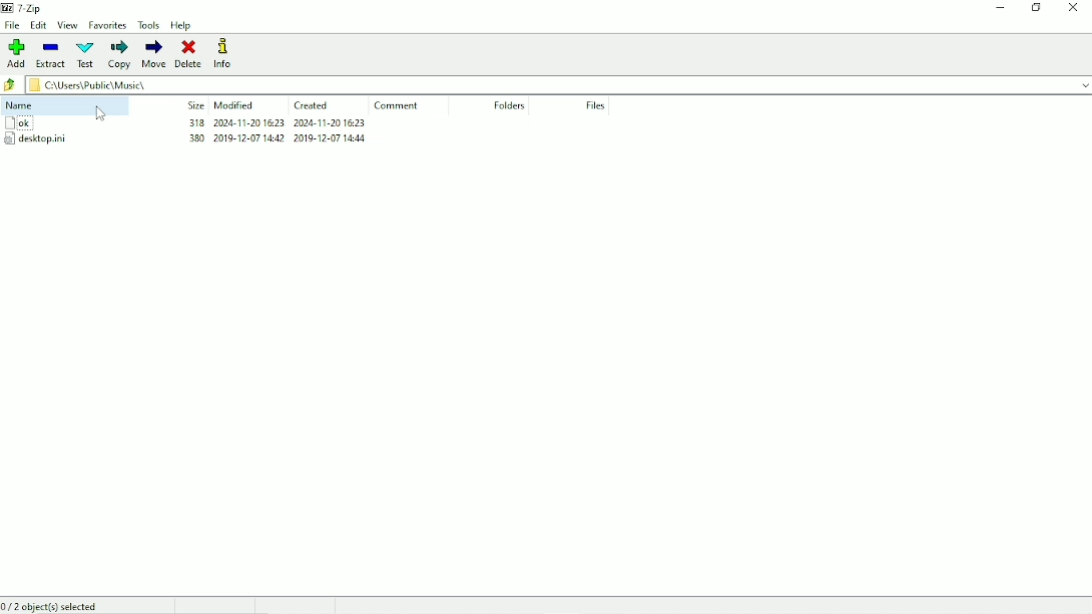  I want to click on Name, so click(24, 104).